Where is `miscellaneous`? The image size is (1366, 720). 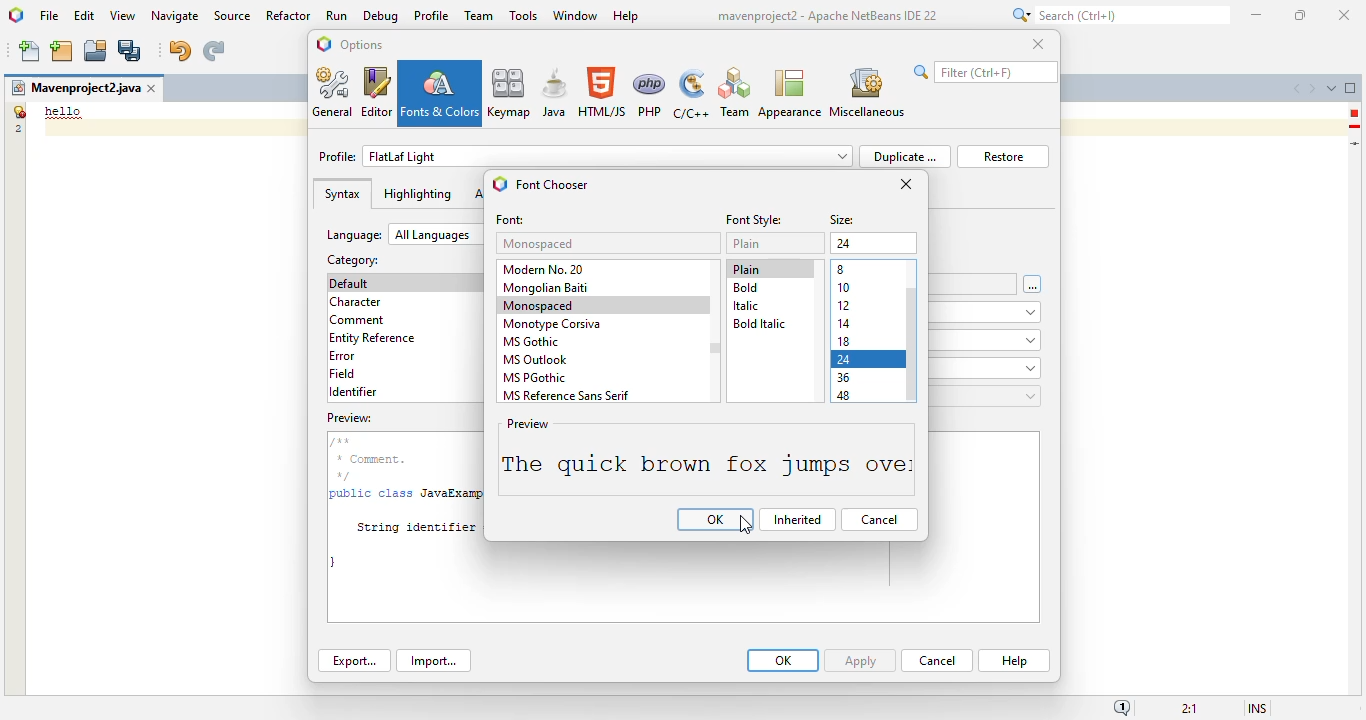
miscellaneous is located at coordinates (866, 93).